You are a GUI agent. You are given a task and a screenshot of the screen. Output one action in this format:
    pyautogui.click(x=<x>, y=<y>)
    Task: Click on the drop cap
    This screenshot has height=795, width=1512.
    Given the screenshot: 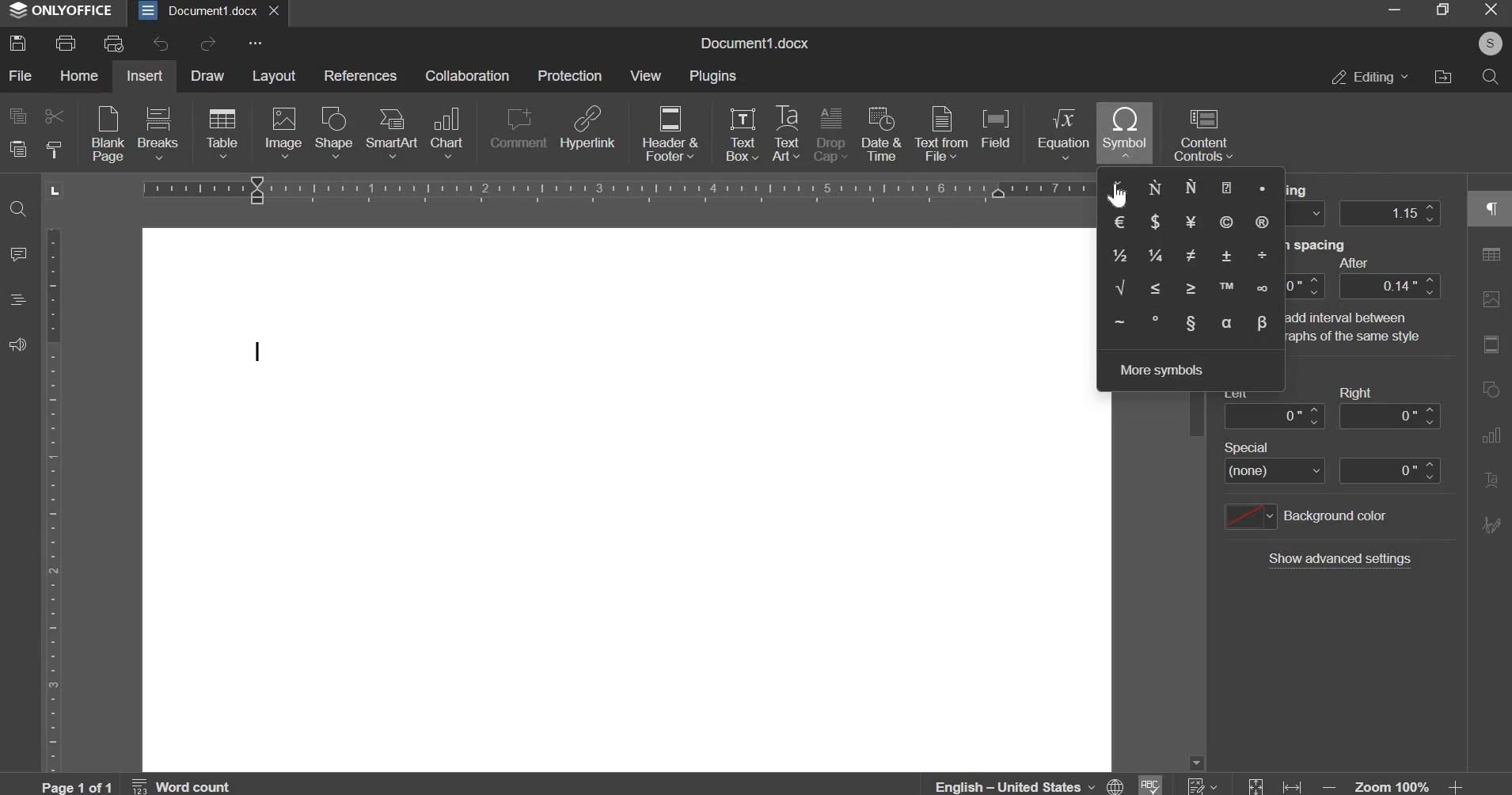 What is the action you would take?
    pyautogui.click(x=832, y=133)
    